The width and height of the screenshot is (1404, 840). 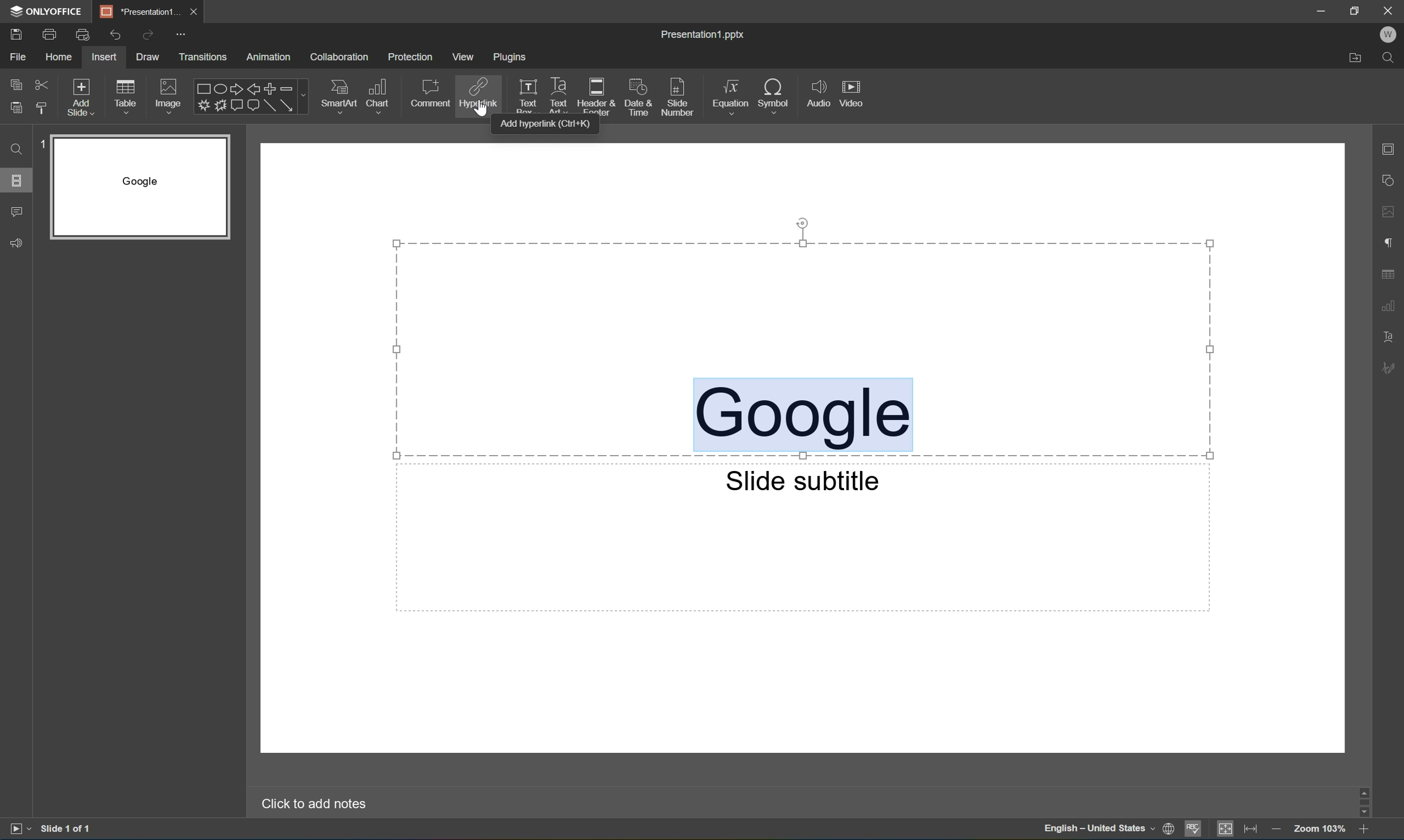 What do you see at coordinates (45, 84) in the screenshot?
I see `Cut` at bounding box center [45, 84].